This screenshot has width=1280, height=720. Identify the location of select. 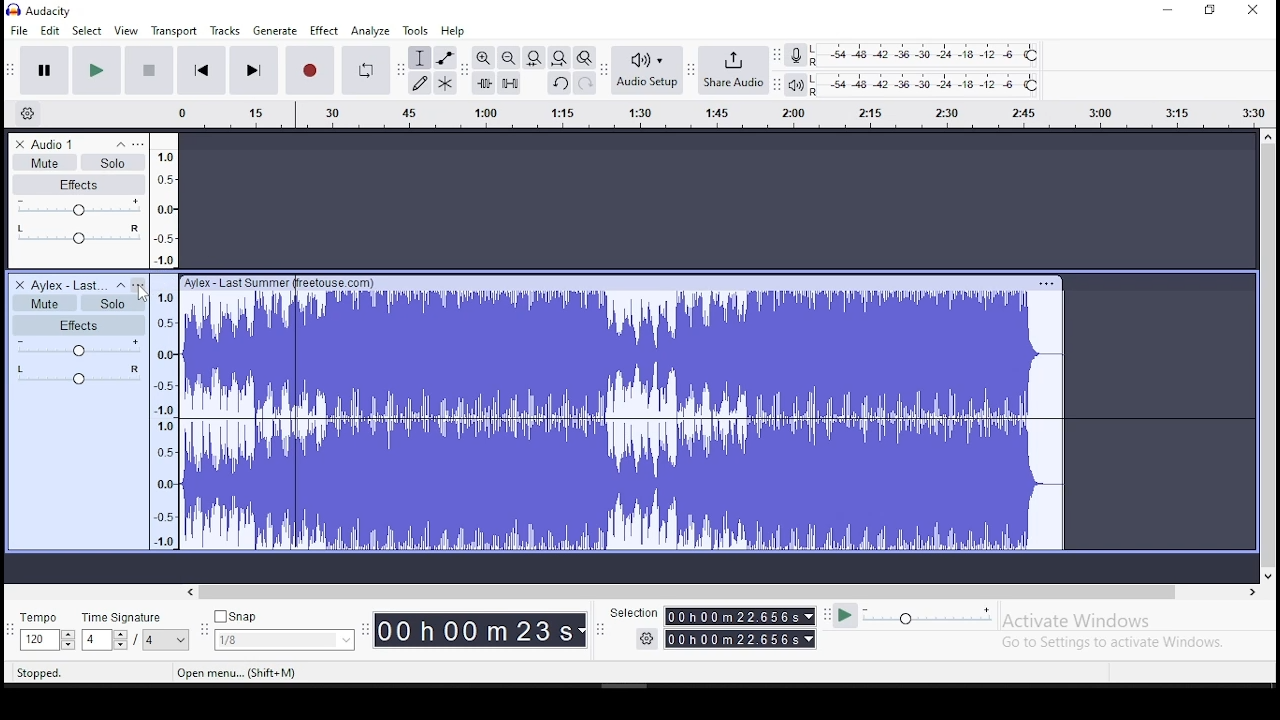
(88, 31).